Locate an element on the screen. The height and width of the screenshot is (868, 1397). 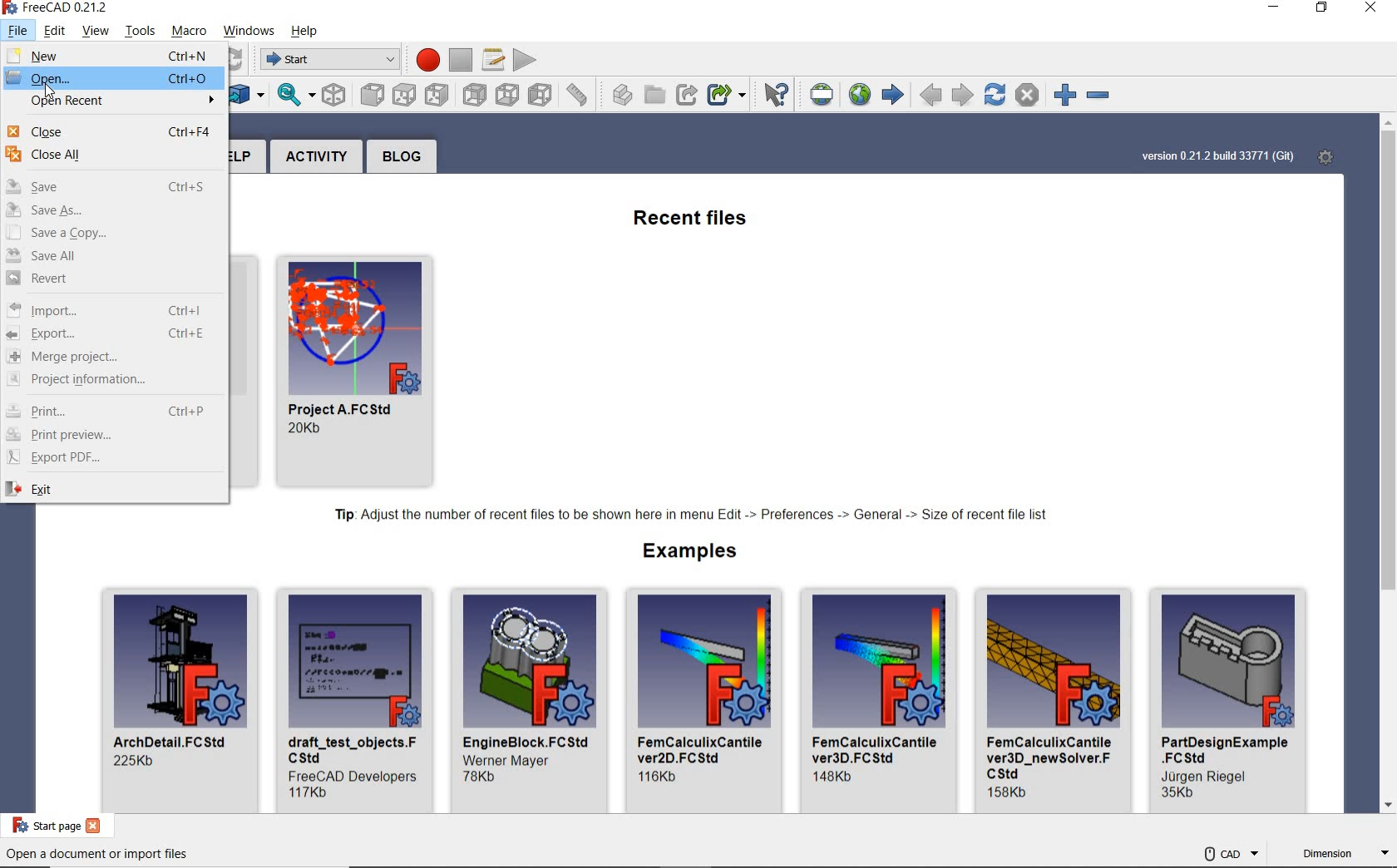
image is located at coordinates (1229, 662).